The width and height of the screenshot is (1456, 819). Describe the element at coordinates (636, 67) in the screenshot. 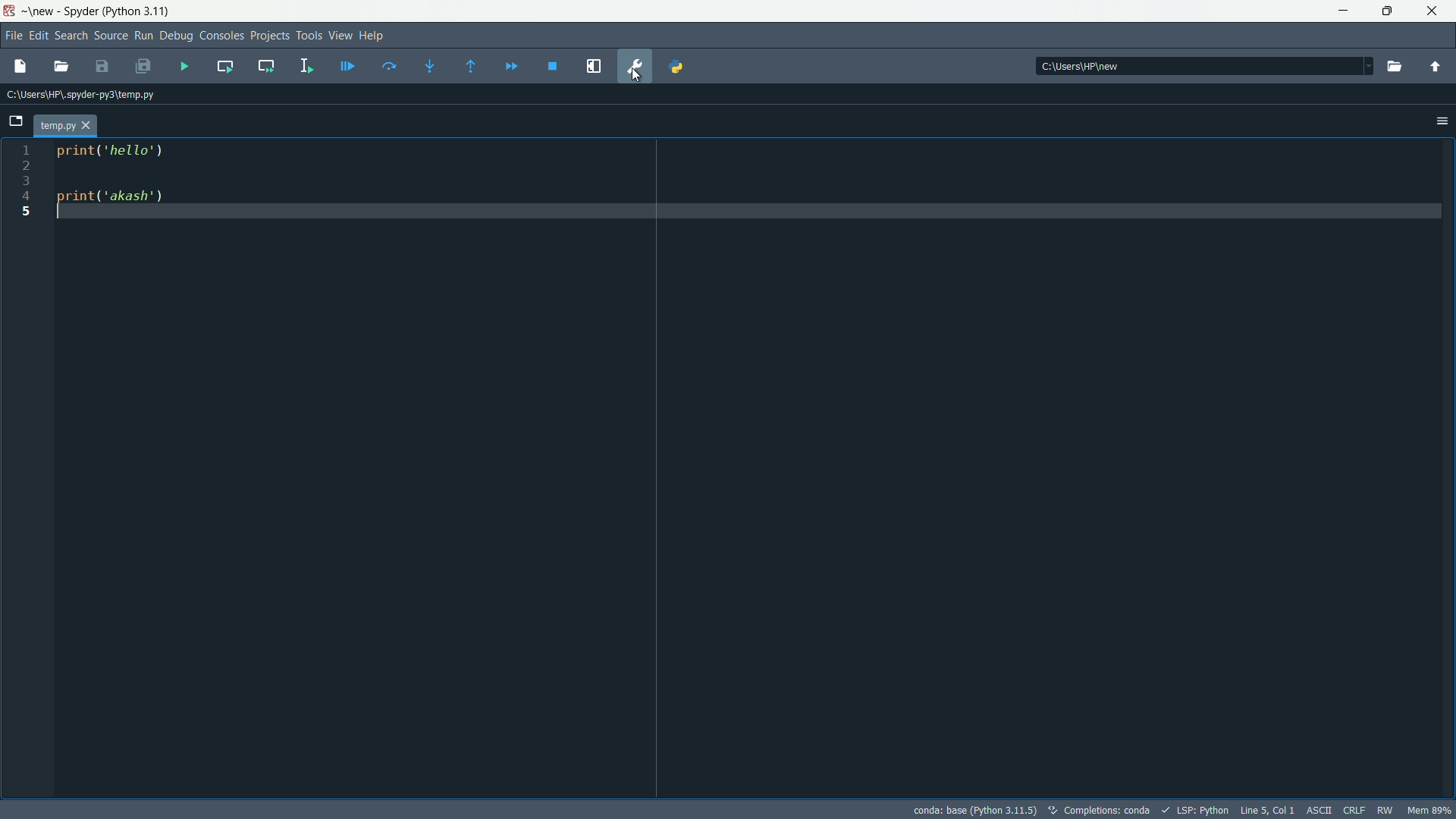

I see `preferences` at that location.